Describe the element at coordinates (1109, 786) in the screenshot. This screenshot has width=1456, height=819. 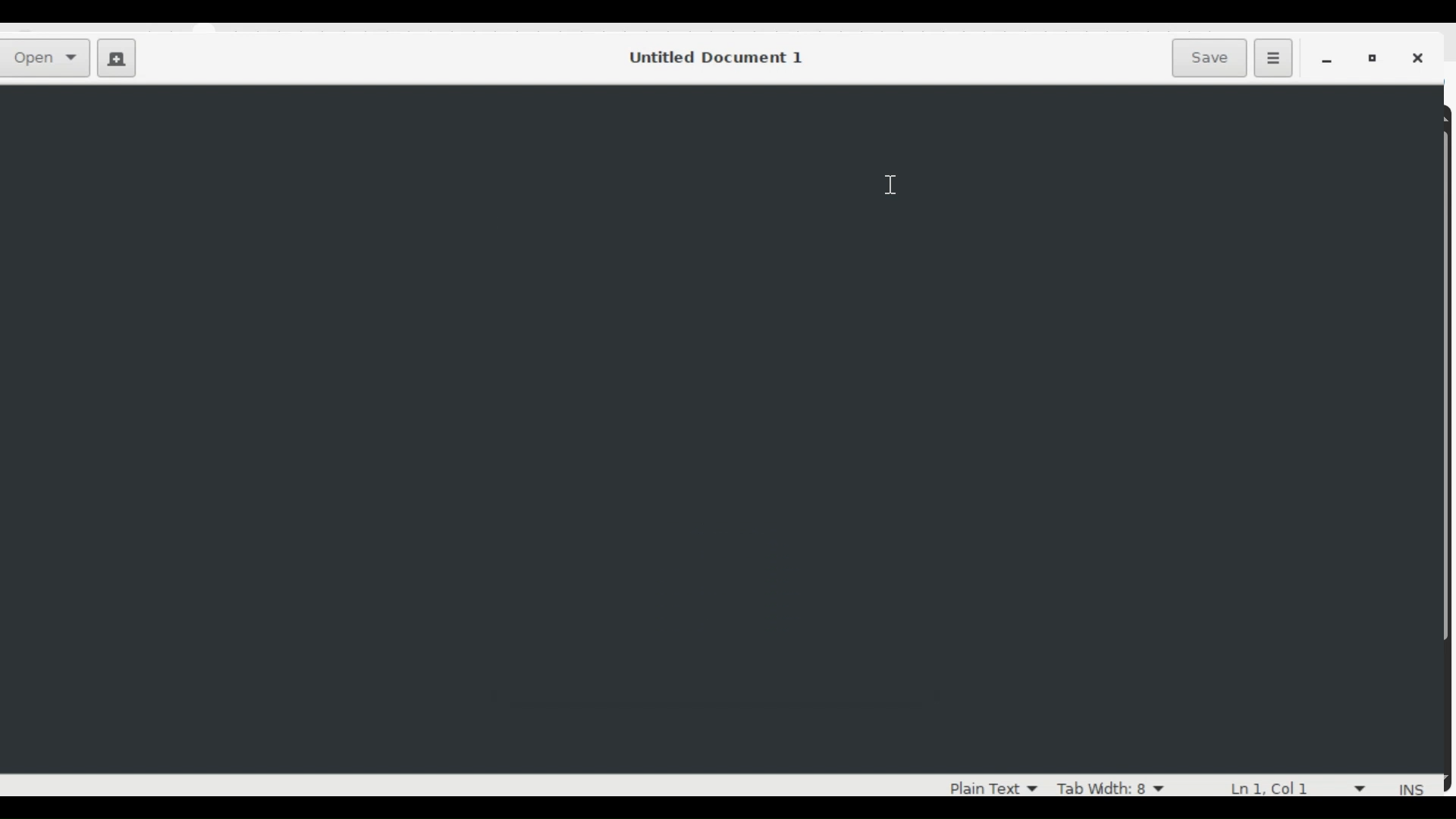
I see `Tab Width` at that location.